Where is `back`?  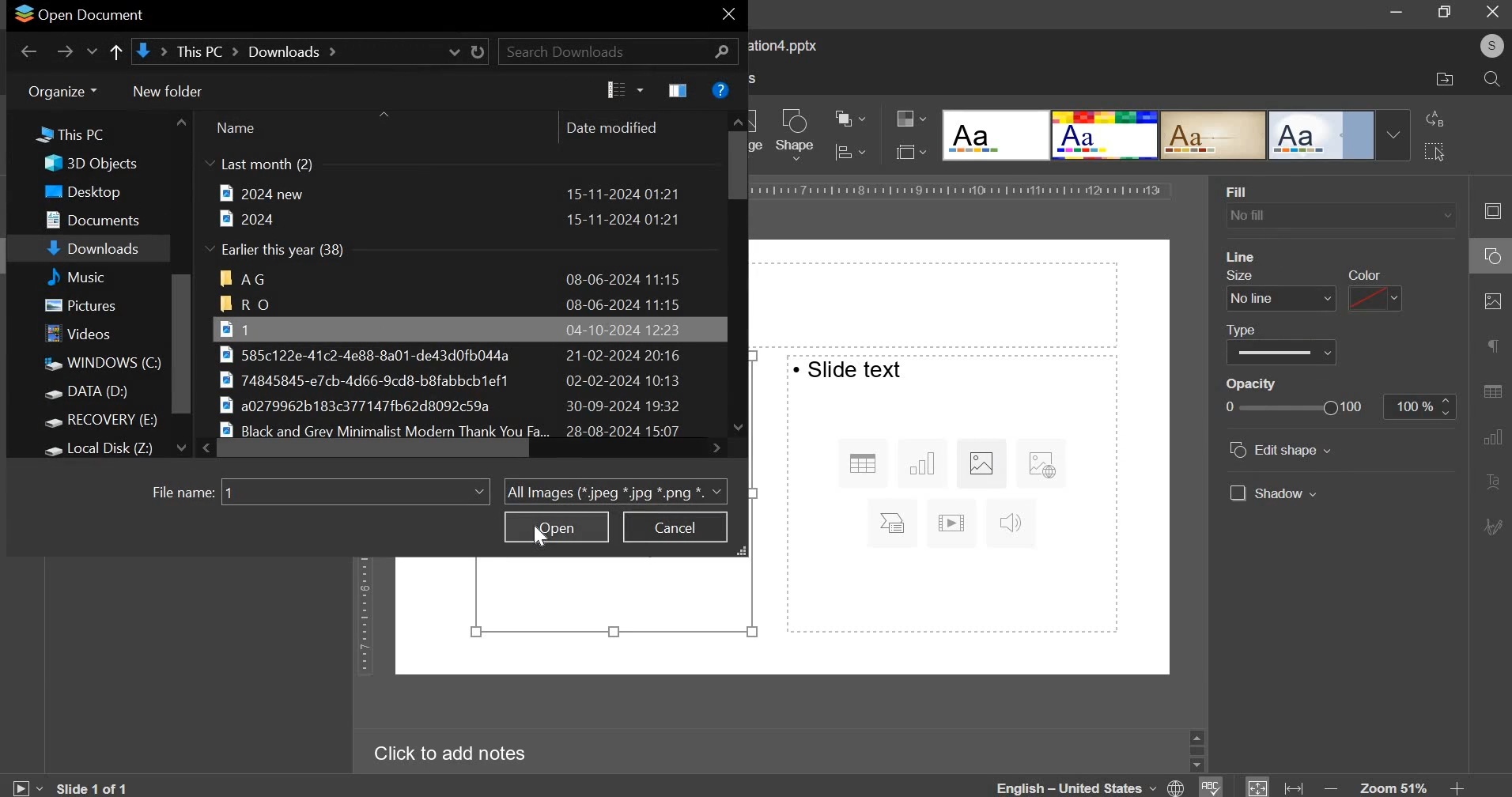 back is located at coordinates (29, 51).